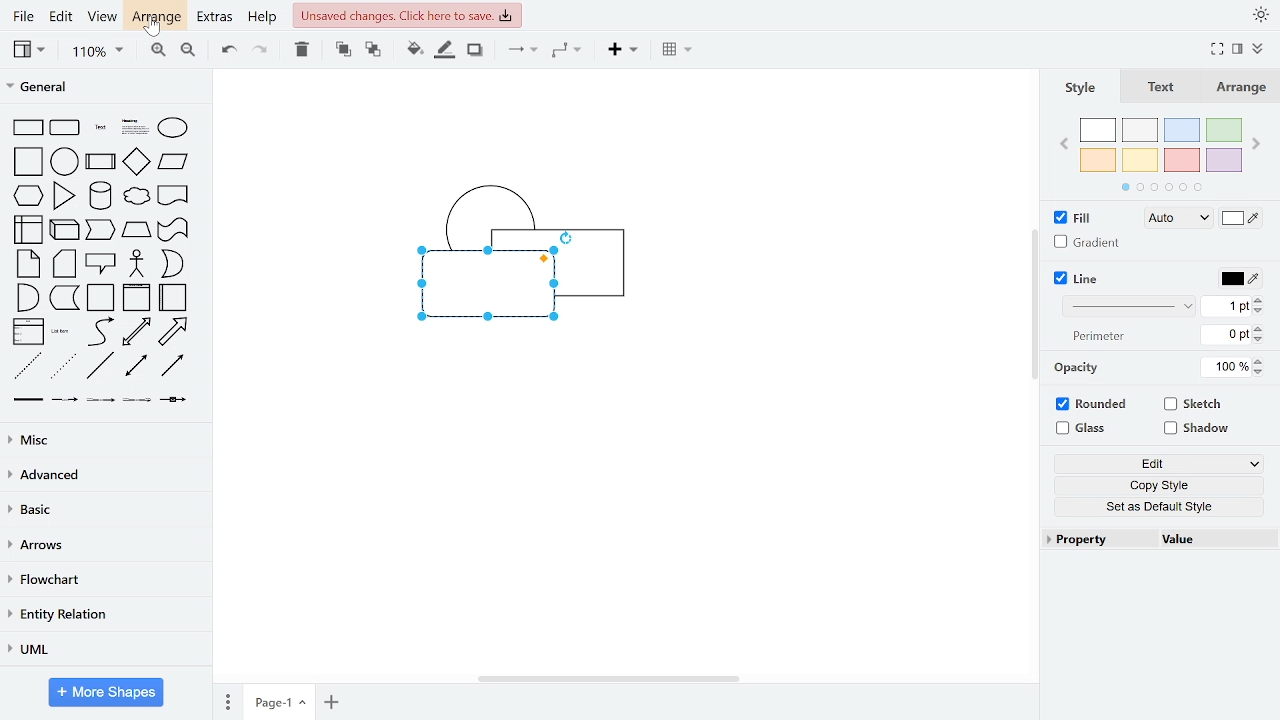  I want to click on zoom in, so click(159, 51).